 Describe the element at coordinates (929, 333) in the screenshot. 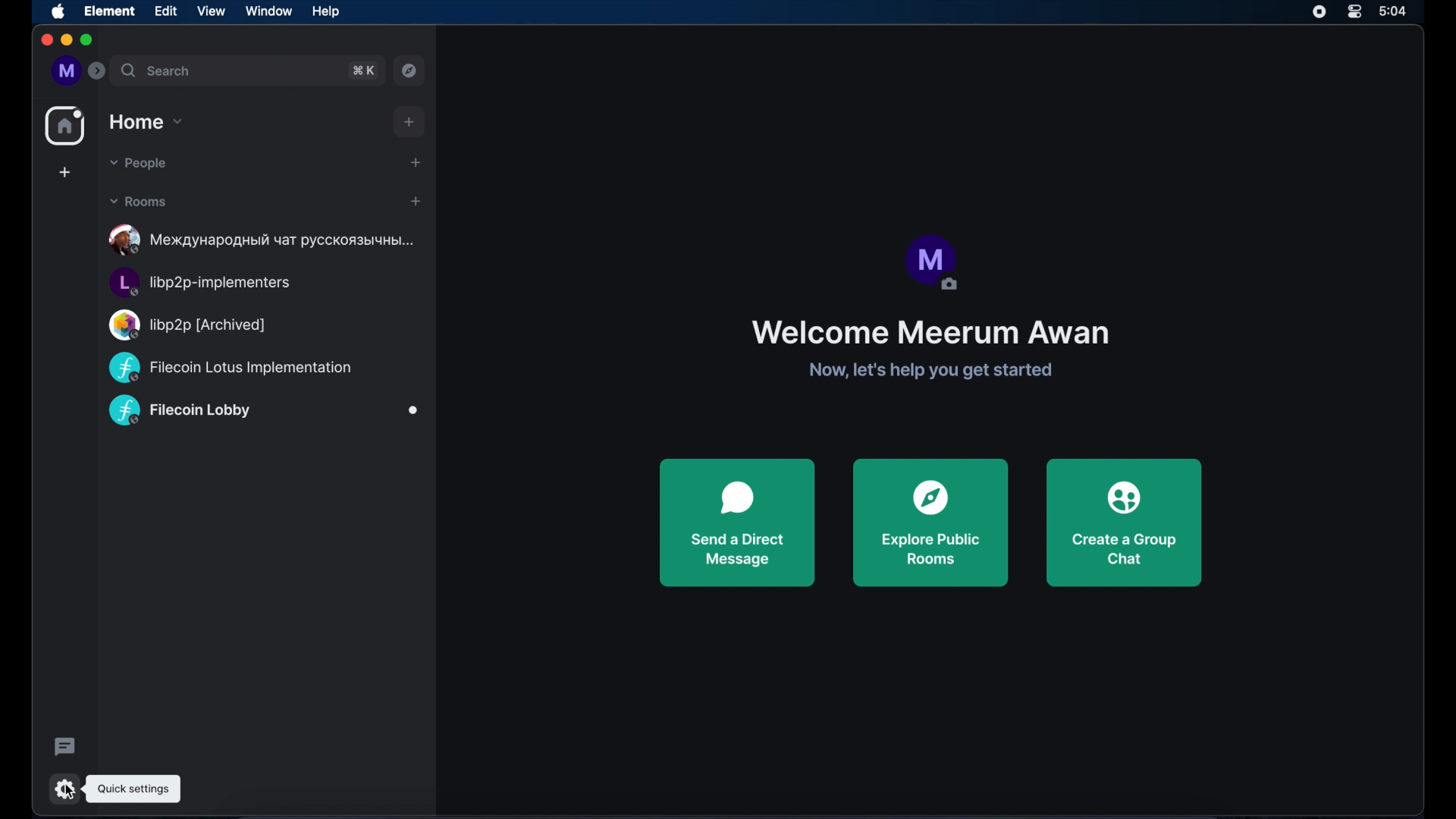

I see `welcome meerut awan` at that location.